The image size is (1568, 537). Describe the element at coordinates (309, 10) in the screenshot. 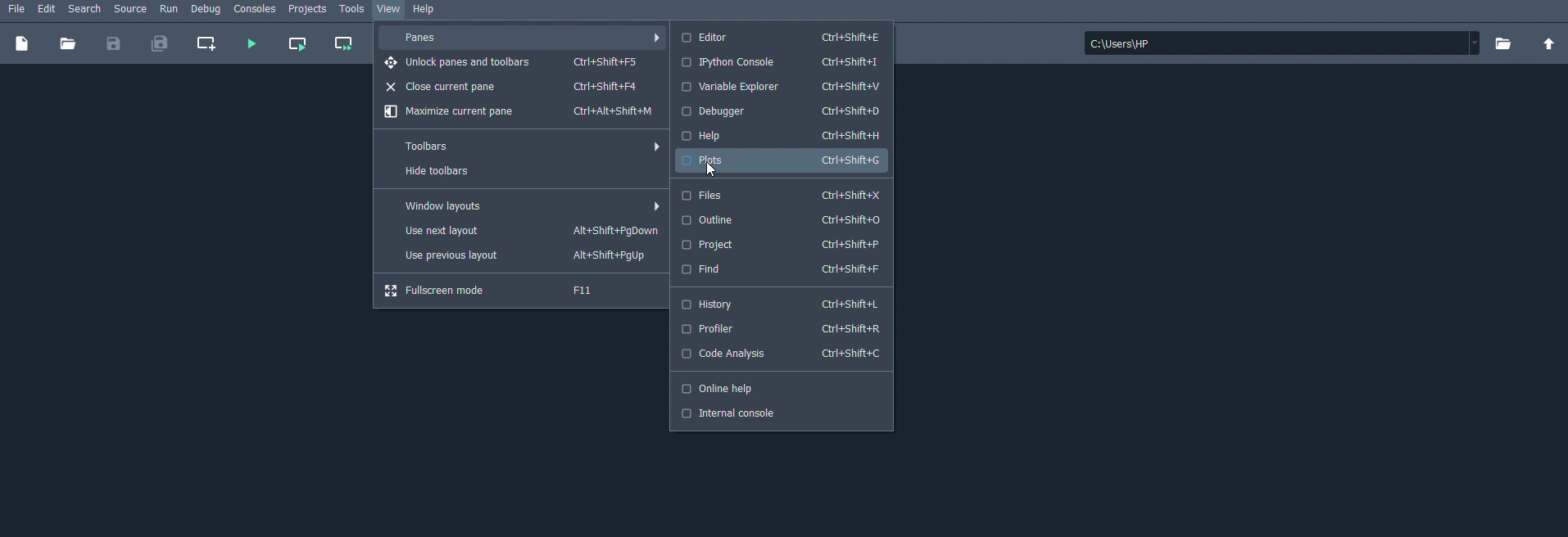

I see `Projects` at that location.